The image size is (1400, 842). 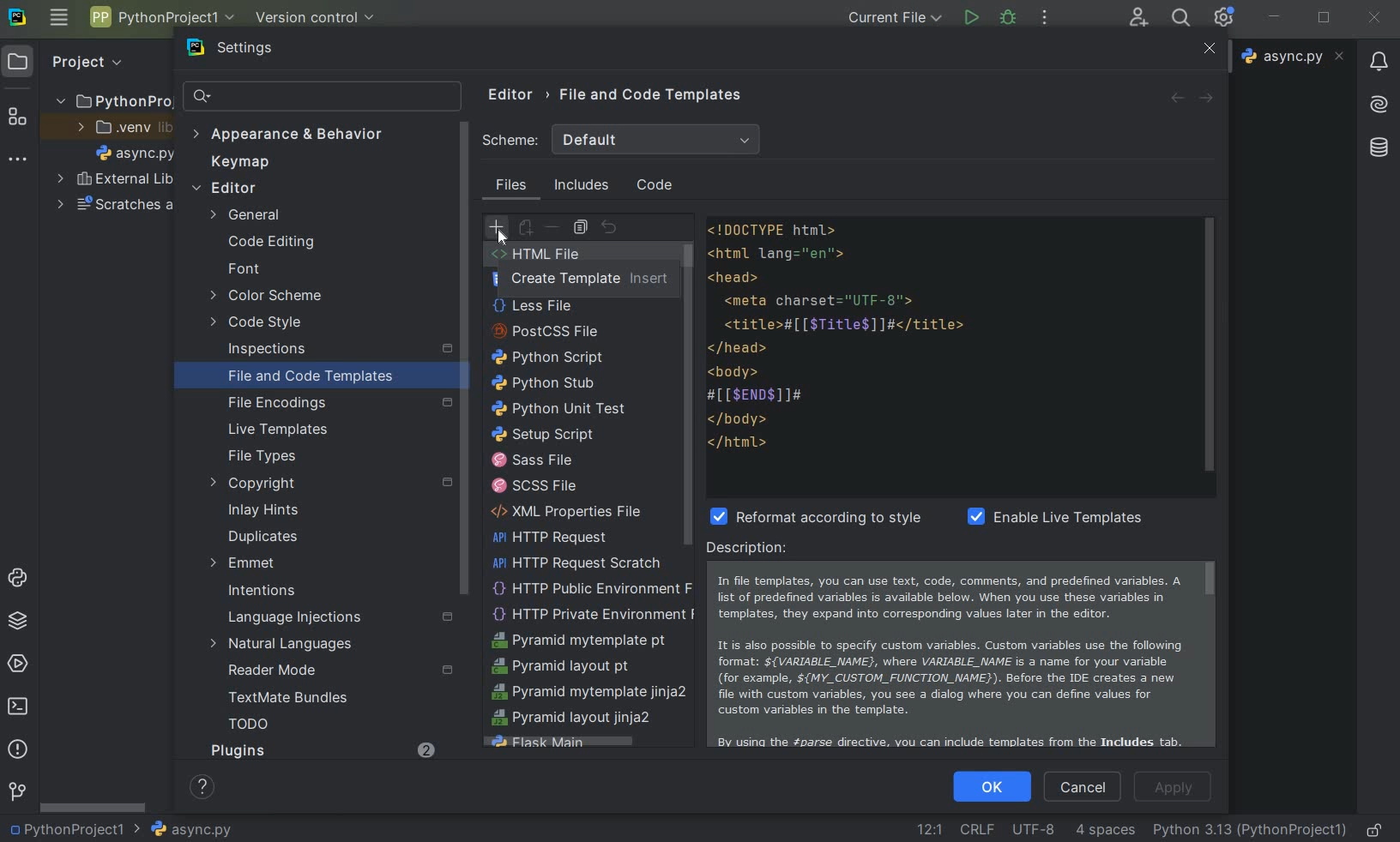 I want to click on structure, so click(x=18, y=120).